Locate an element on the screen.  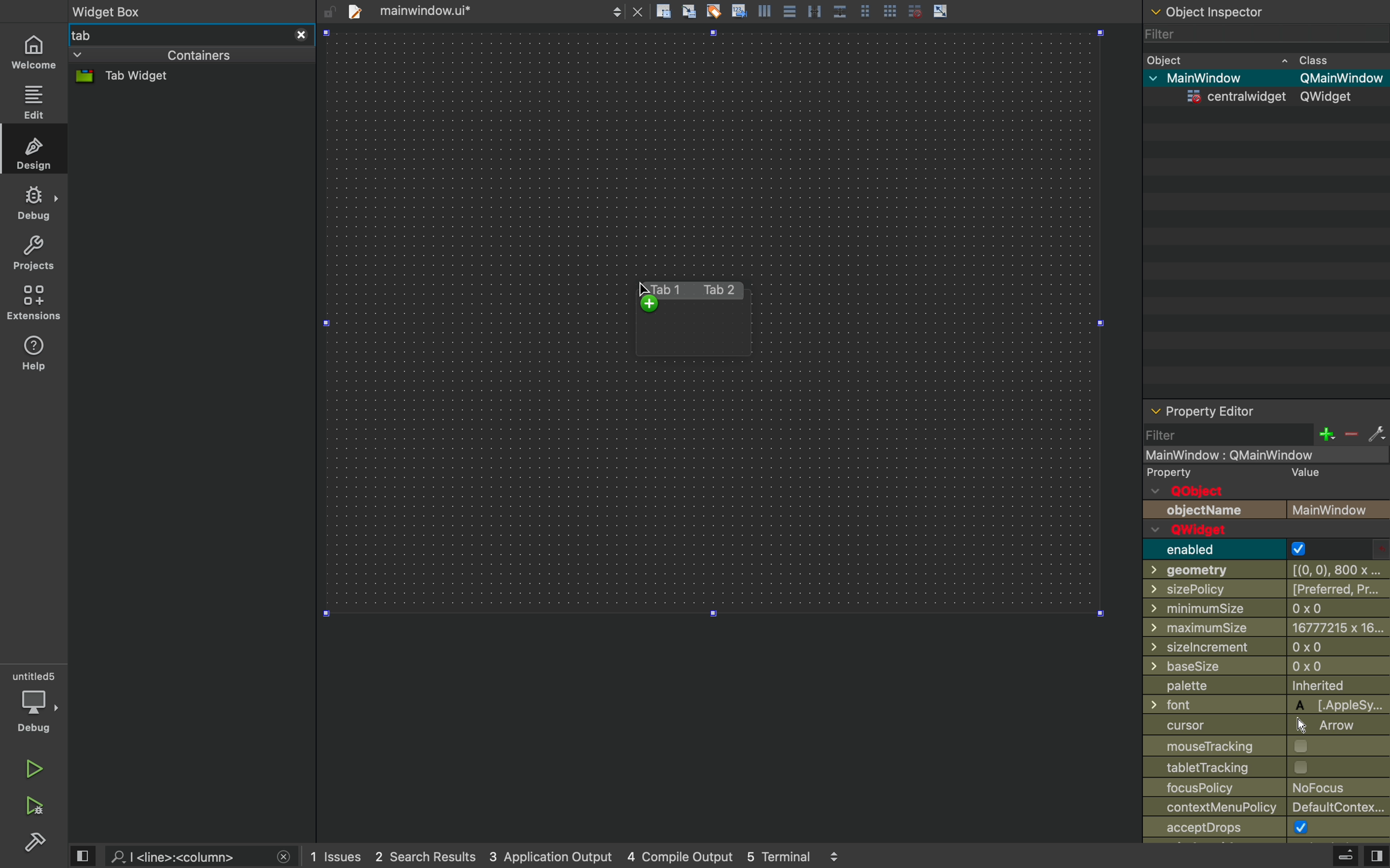
tagging is located at coordinates (713, 10).